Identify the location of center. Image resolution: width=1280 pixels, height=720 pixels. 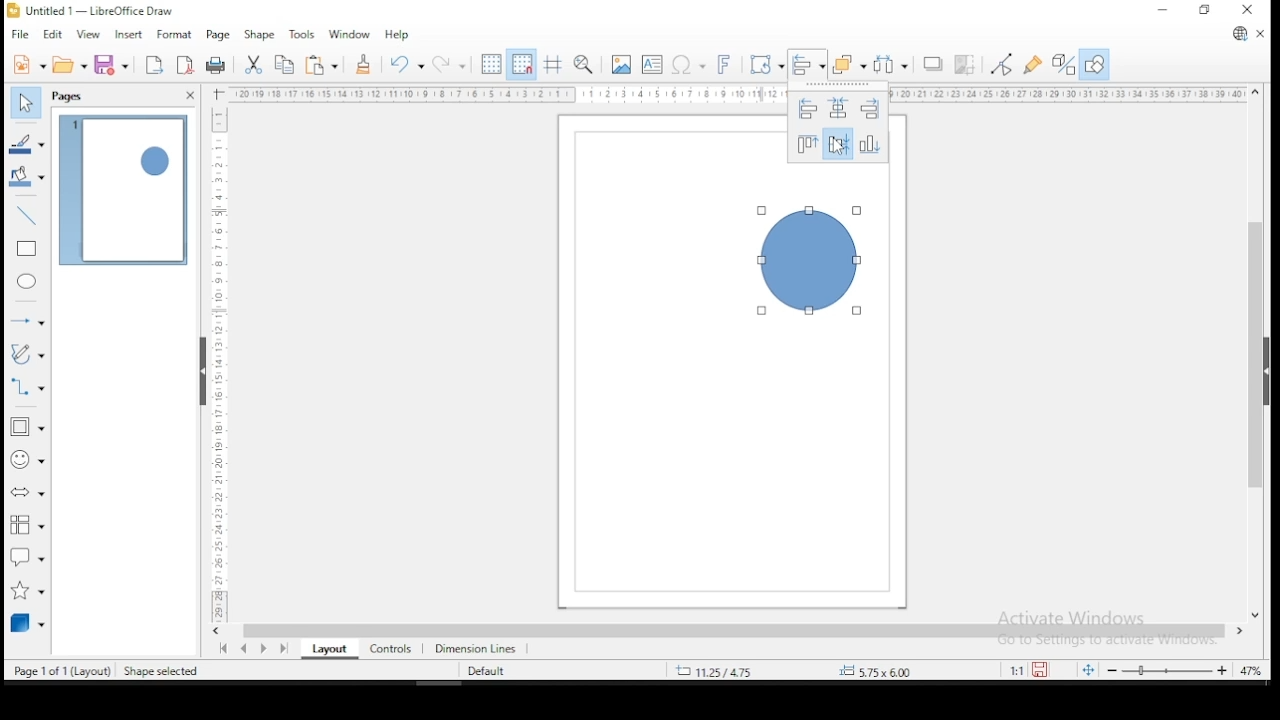
(839, 144).